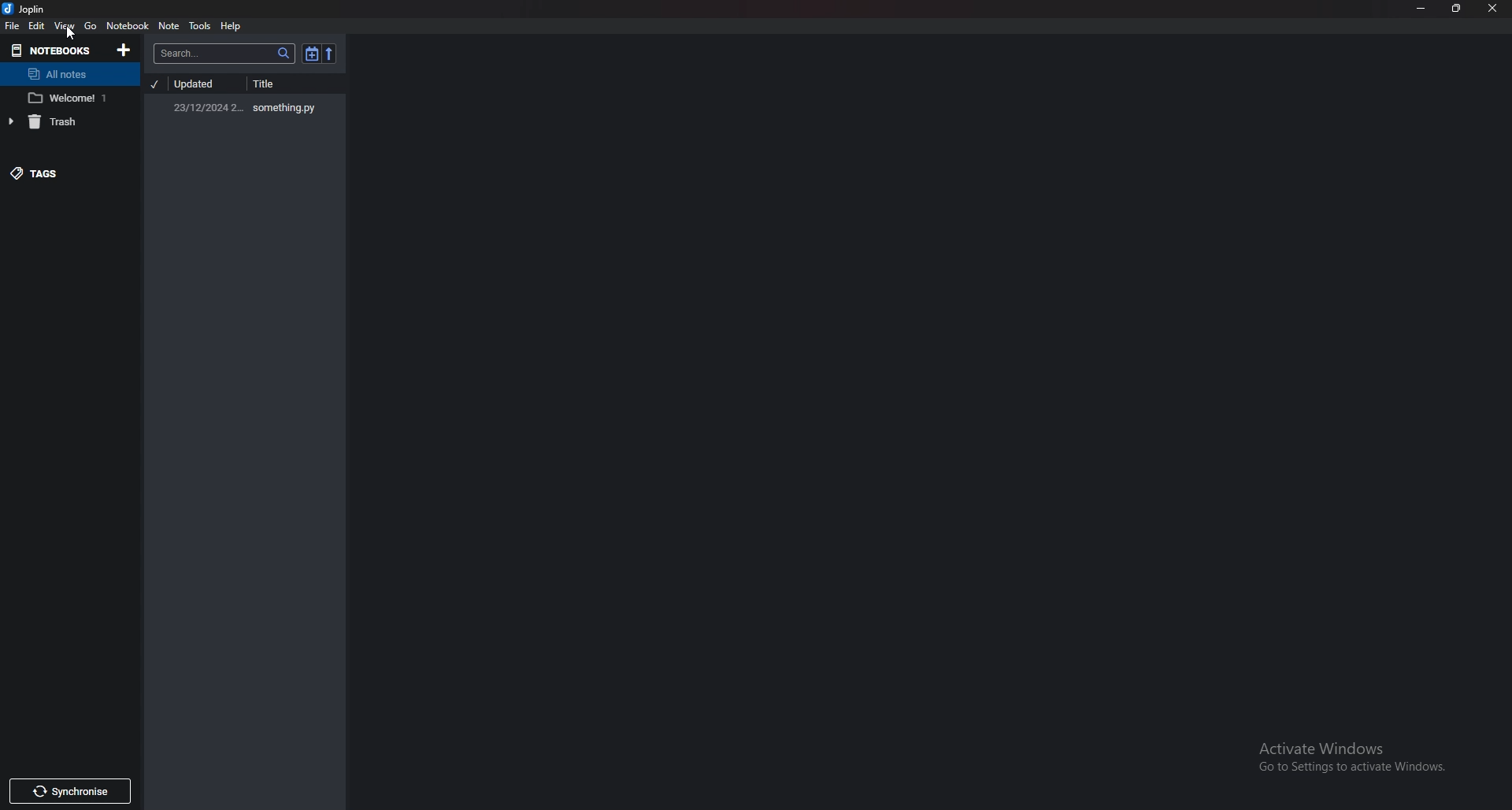  I want to click on view, so click(65, 27).